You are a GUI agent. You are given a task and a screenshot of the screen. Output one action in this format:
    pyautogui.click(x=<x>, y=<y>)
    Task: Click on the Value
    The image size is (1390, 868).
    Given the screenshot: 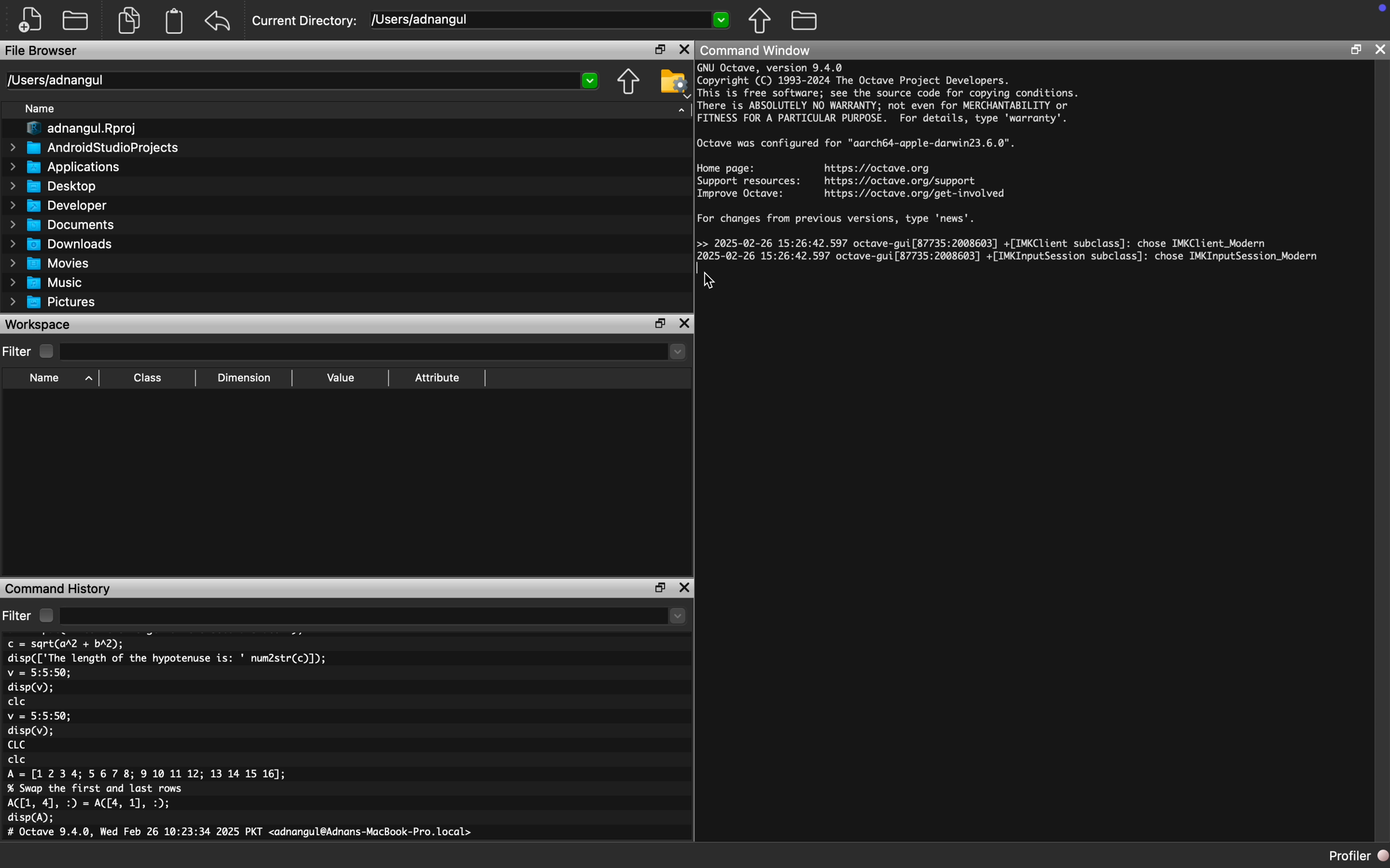 What is the action you would take?
    pyautogui.click(x=339, y=378)
    